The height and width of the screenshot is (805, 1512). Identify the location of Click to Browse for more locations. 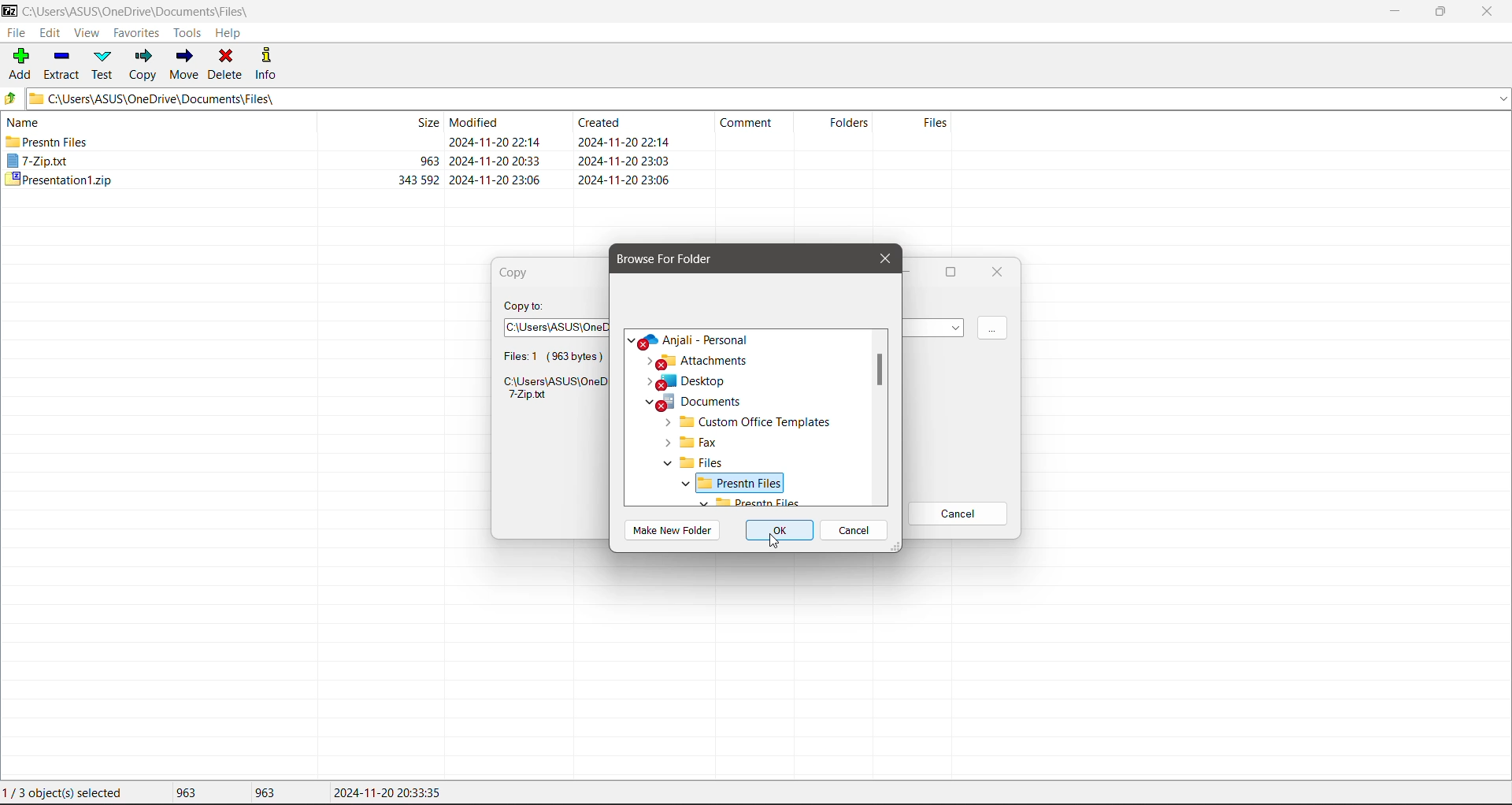
(992, 329).